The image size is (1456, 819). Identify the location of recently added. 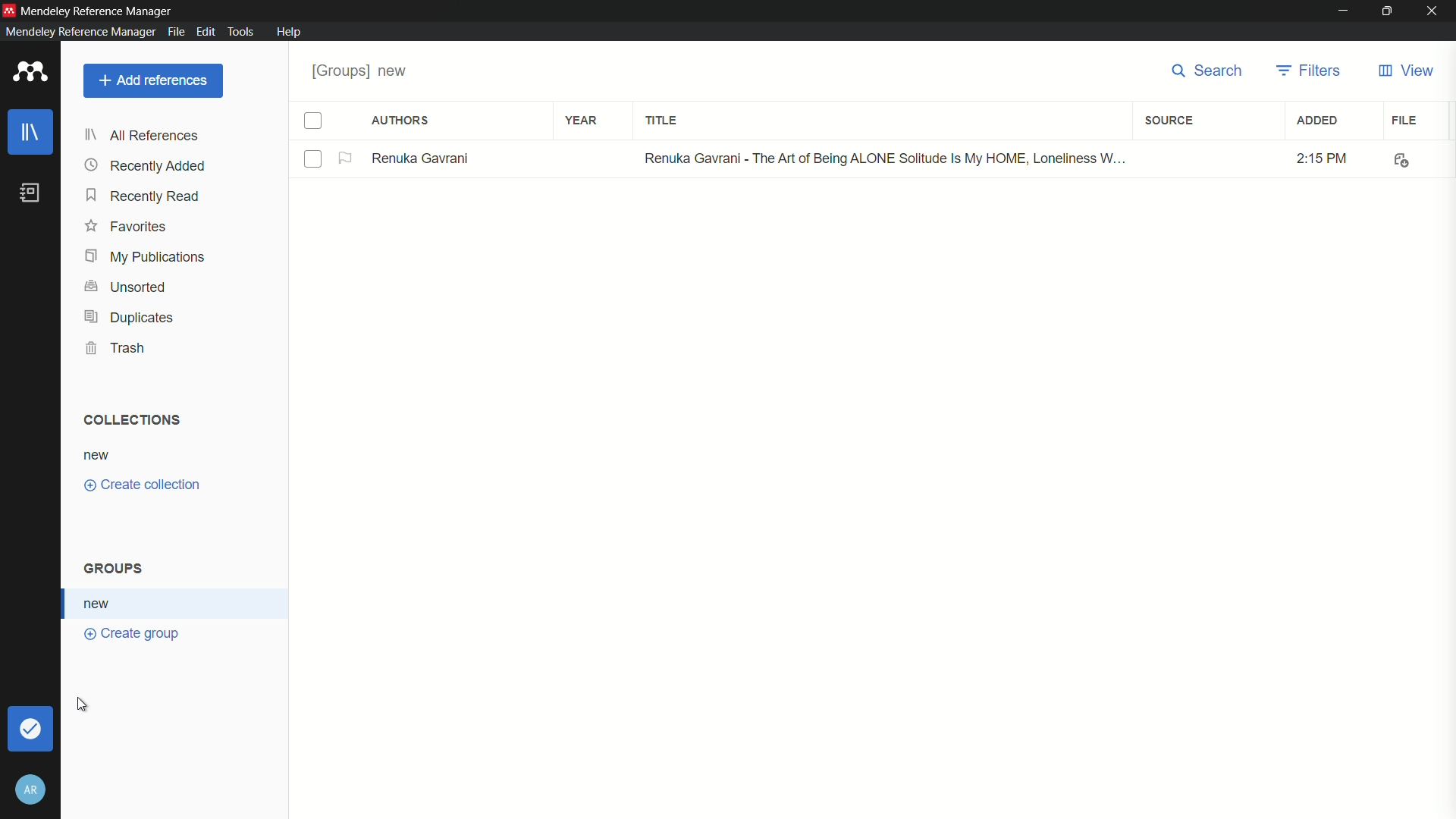
(146, 167).